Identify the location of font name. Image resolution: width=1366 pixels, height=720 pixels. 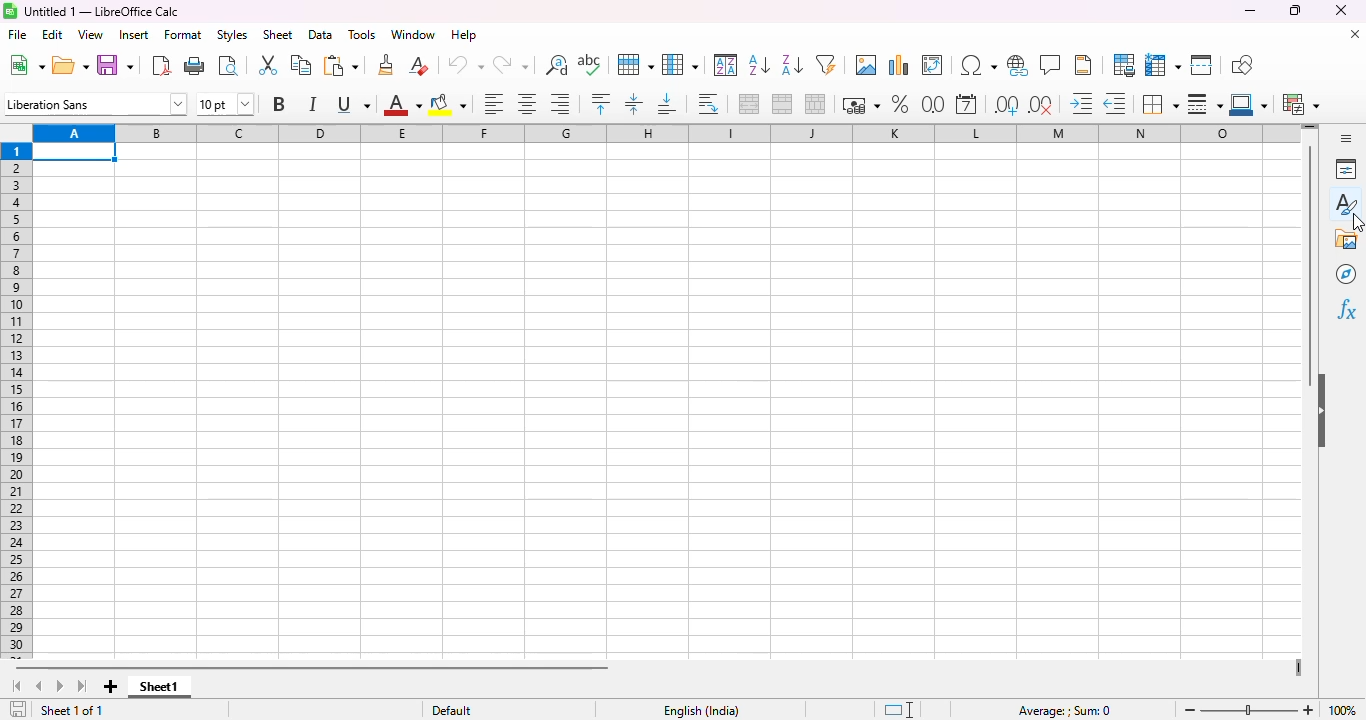
(96, 104).